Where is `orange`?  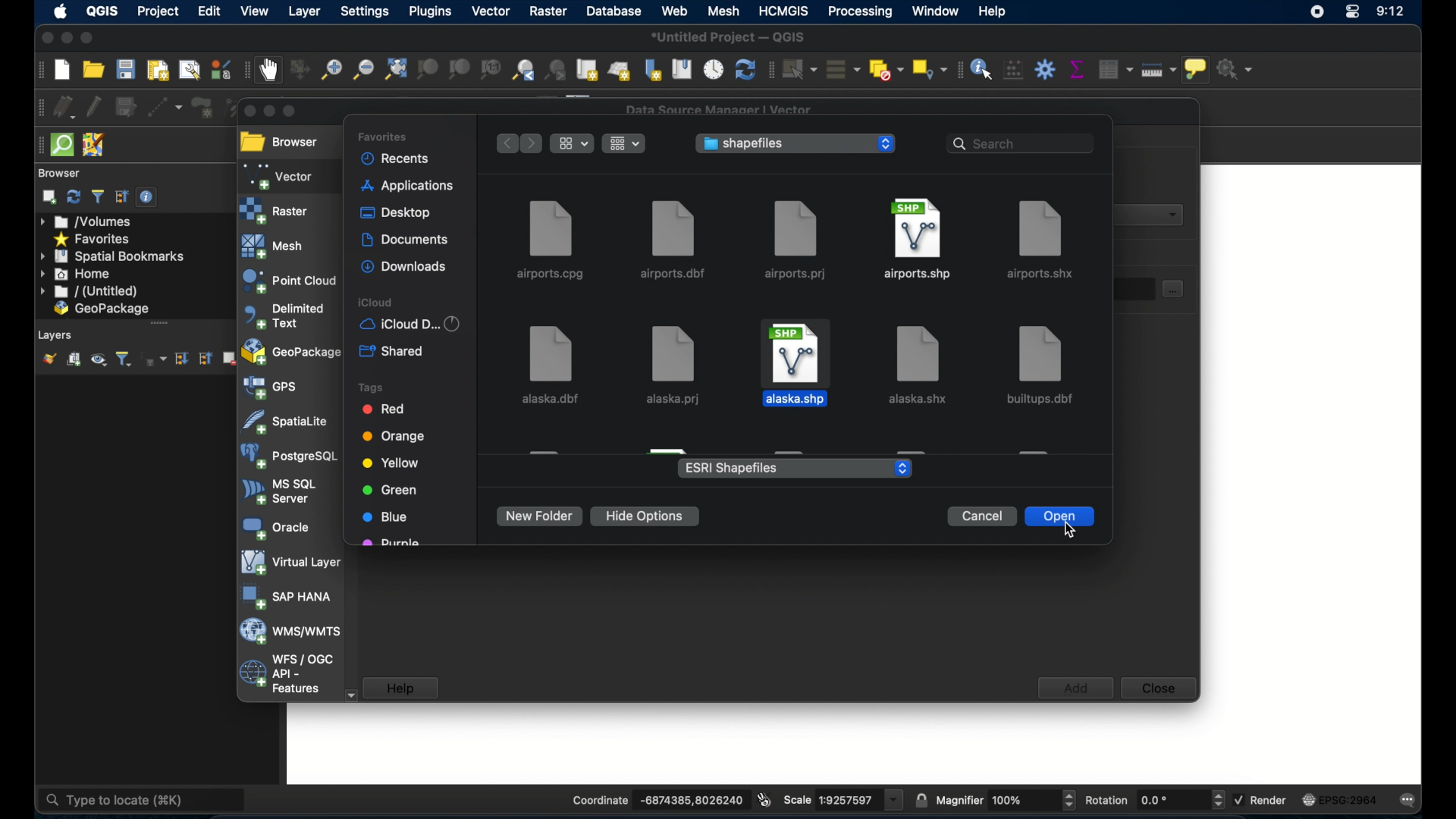 orange is located at coordinates (395, 437).